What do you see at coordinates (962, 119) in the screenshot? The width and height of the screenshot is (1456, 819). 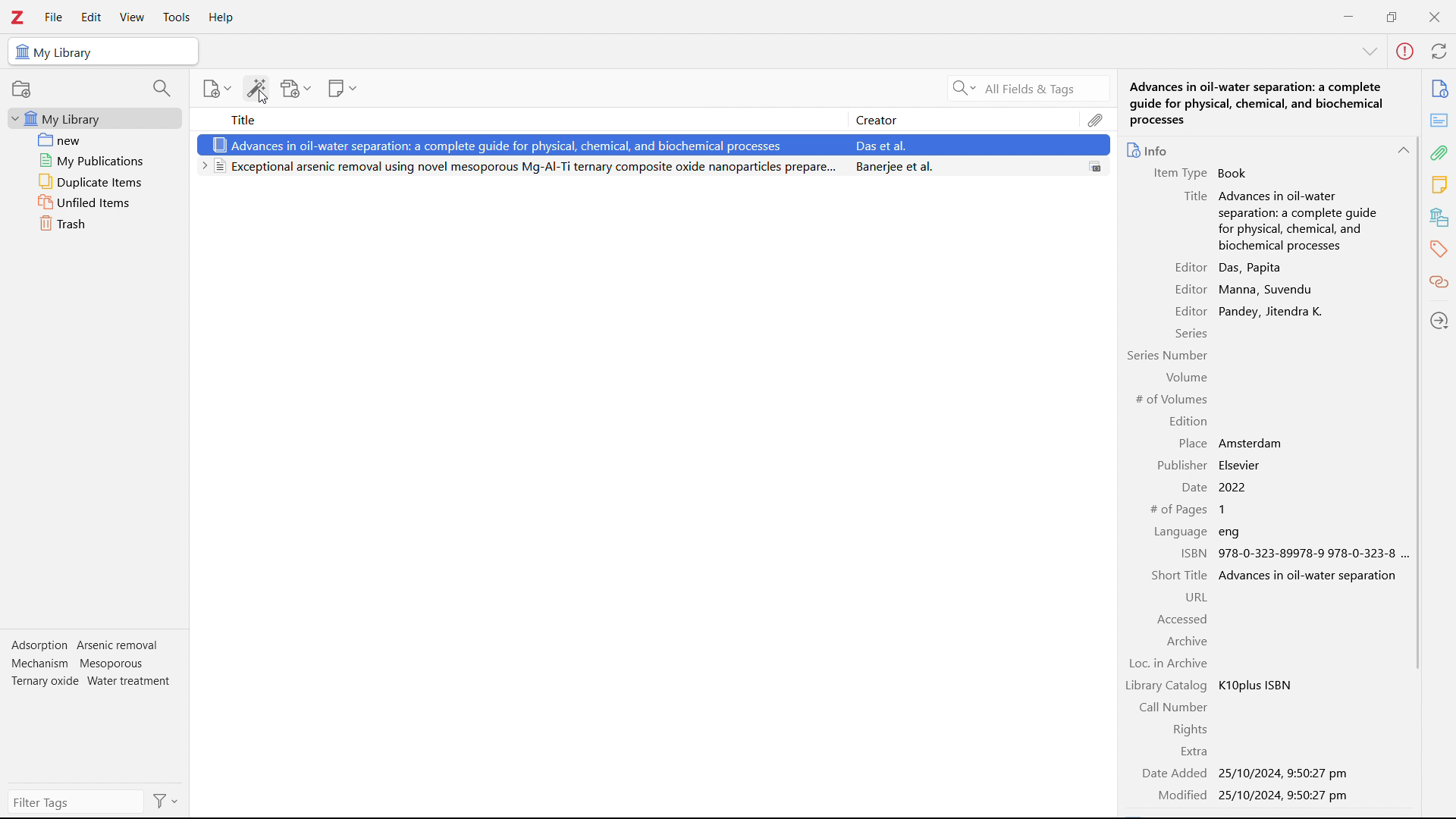 I see `creator` at bounding box center [962, 119].